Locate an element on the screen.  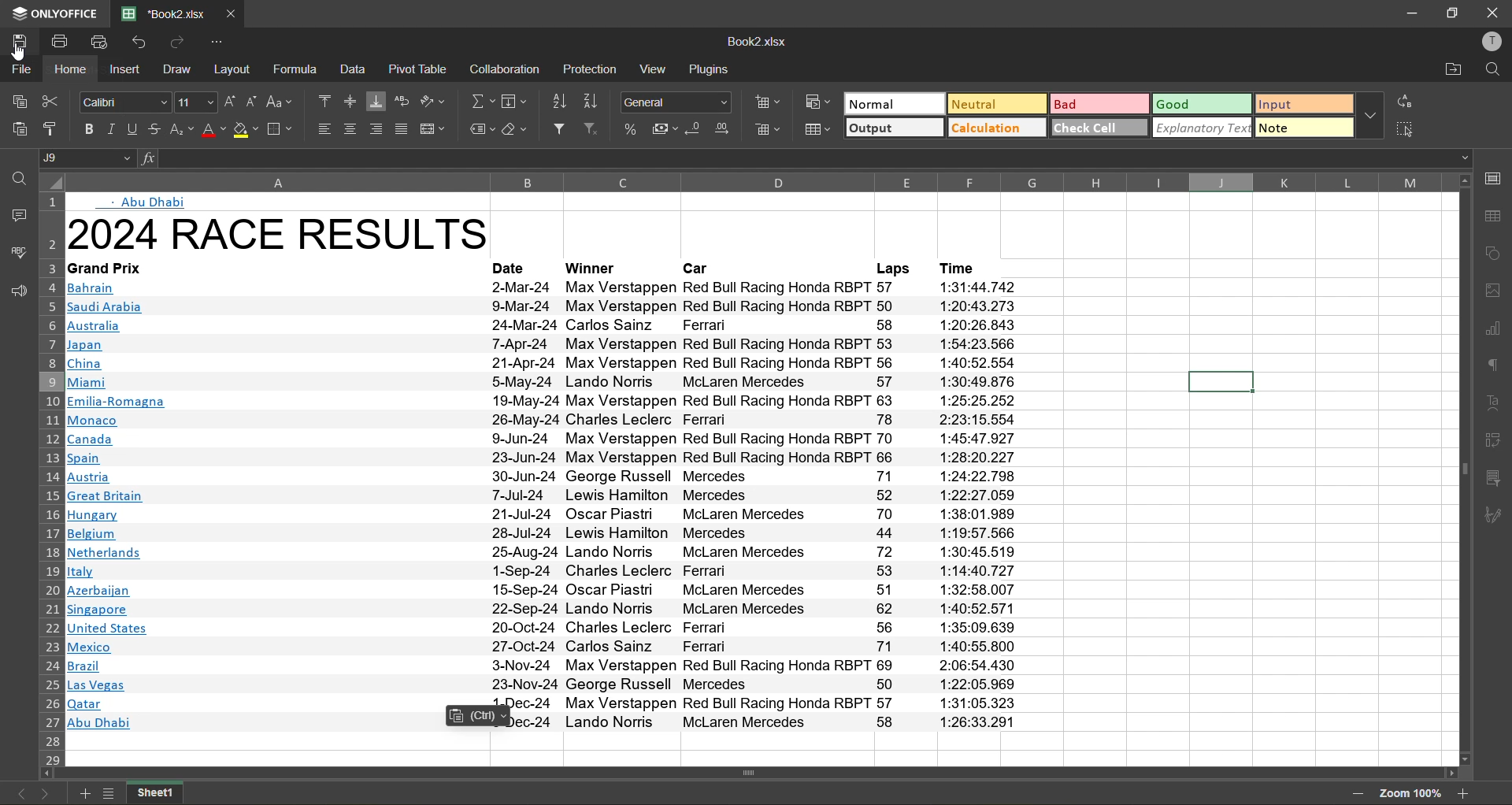
car is located at coordinates (703, 268).